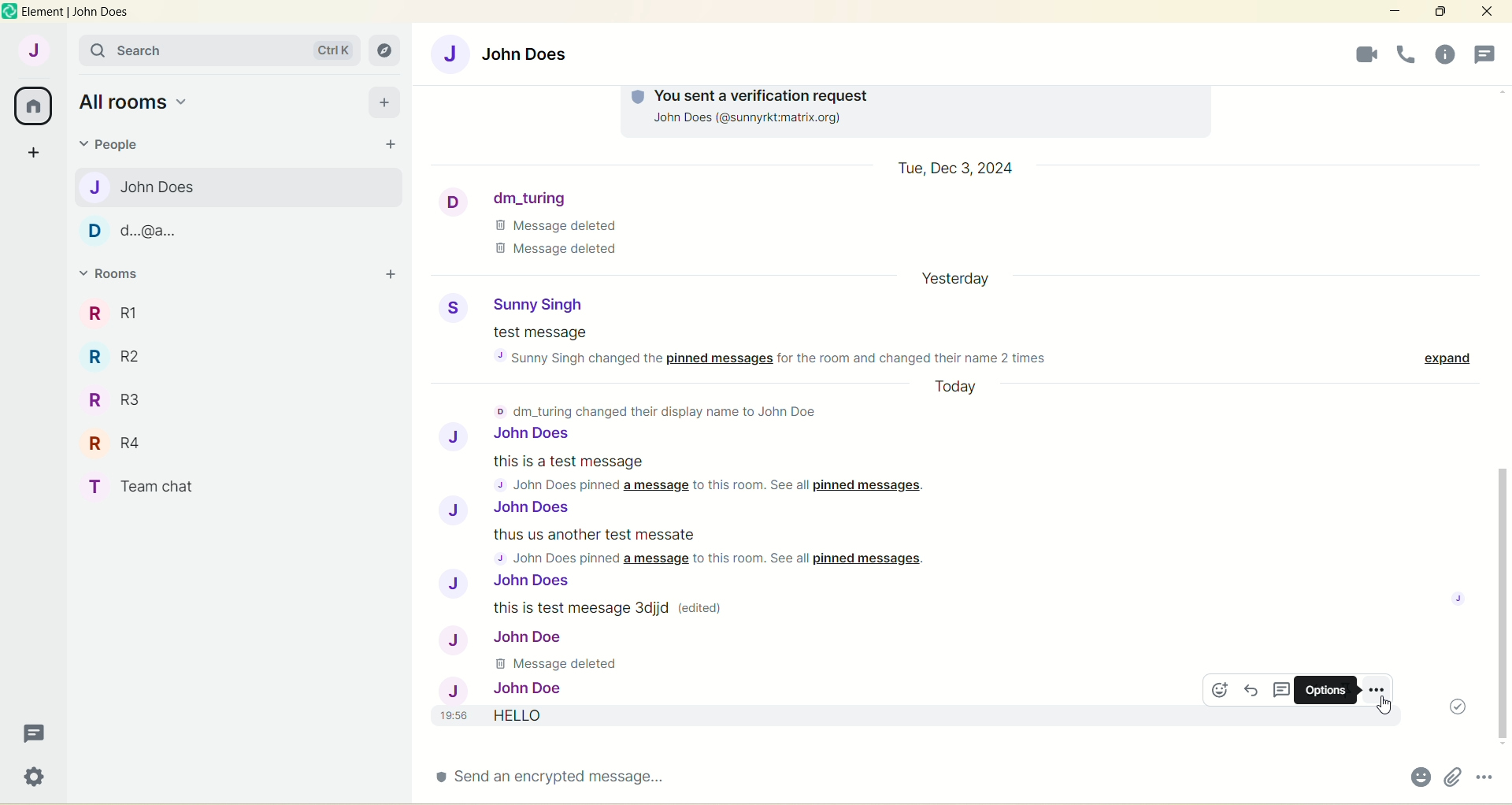  Describe the element at coordinates (155, 484) in the screenshot. I see `T Team chat` at that location.